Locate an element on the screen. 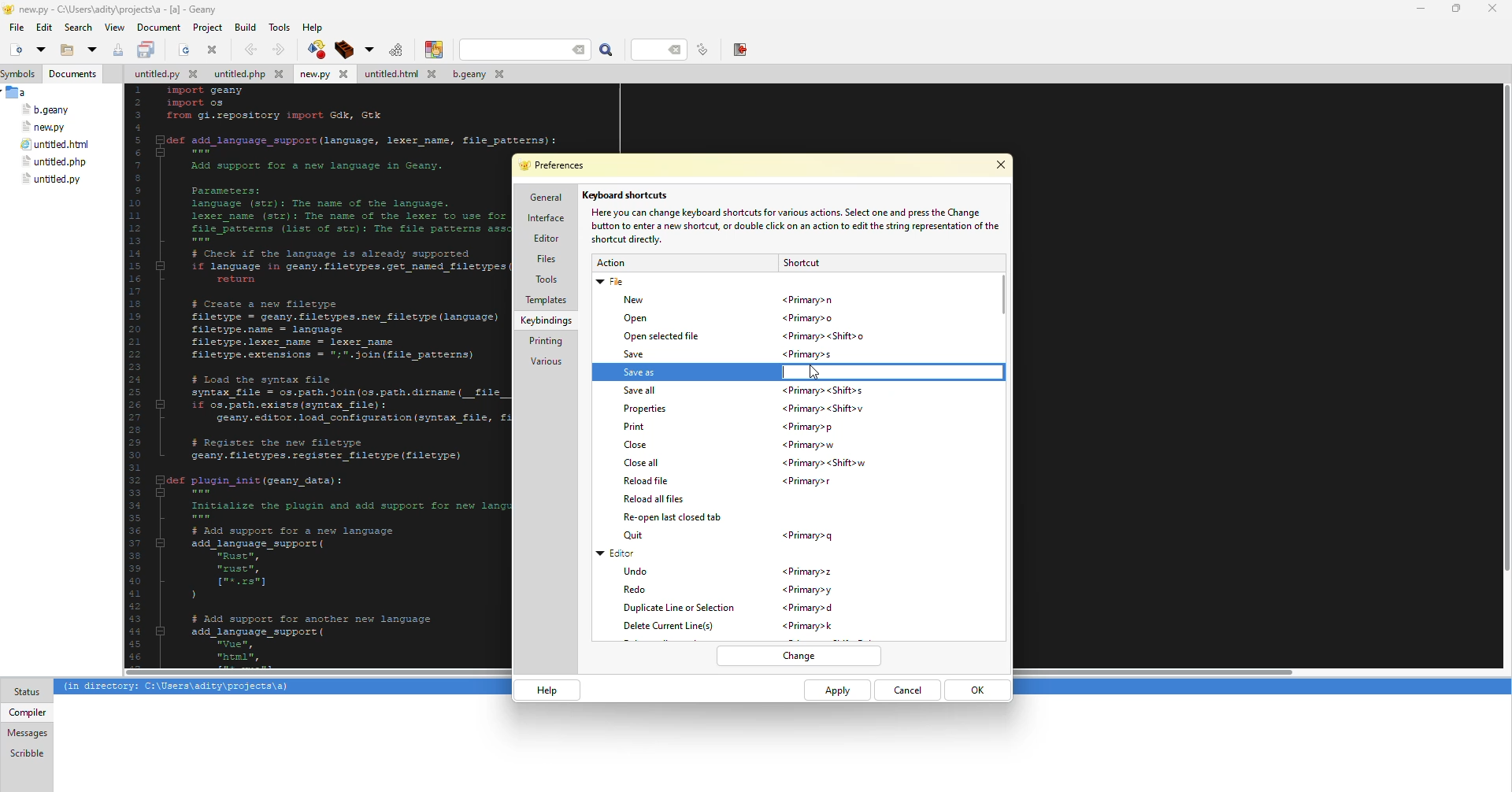 Image resolution: width=1512 pixels, height=792 pixels. shortcut is located at coordinates (825, 339).